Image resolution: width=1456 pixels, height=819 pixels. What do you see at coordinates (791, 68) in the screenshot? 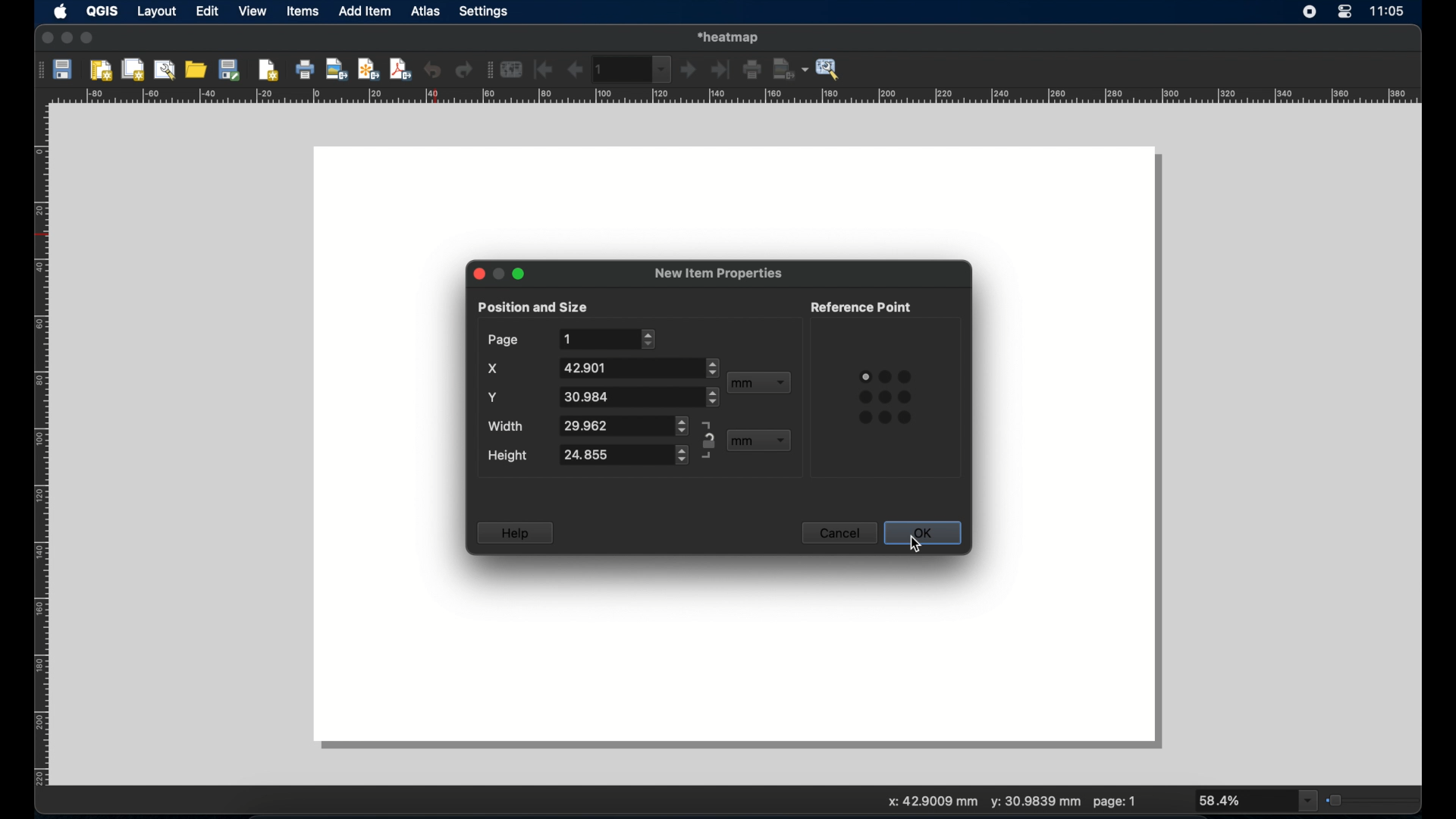
I see `export atlas as image` at bounding box center [791, 68].